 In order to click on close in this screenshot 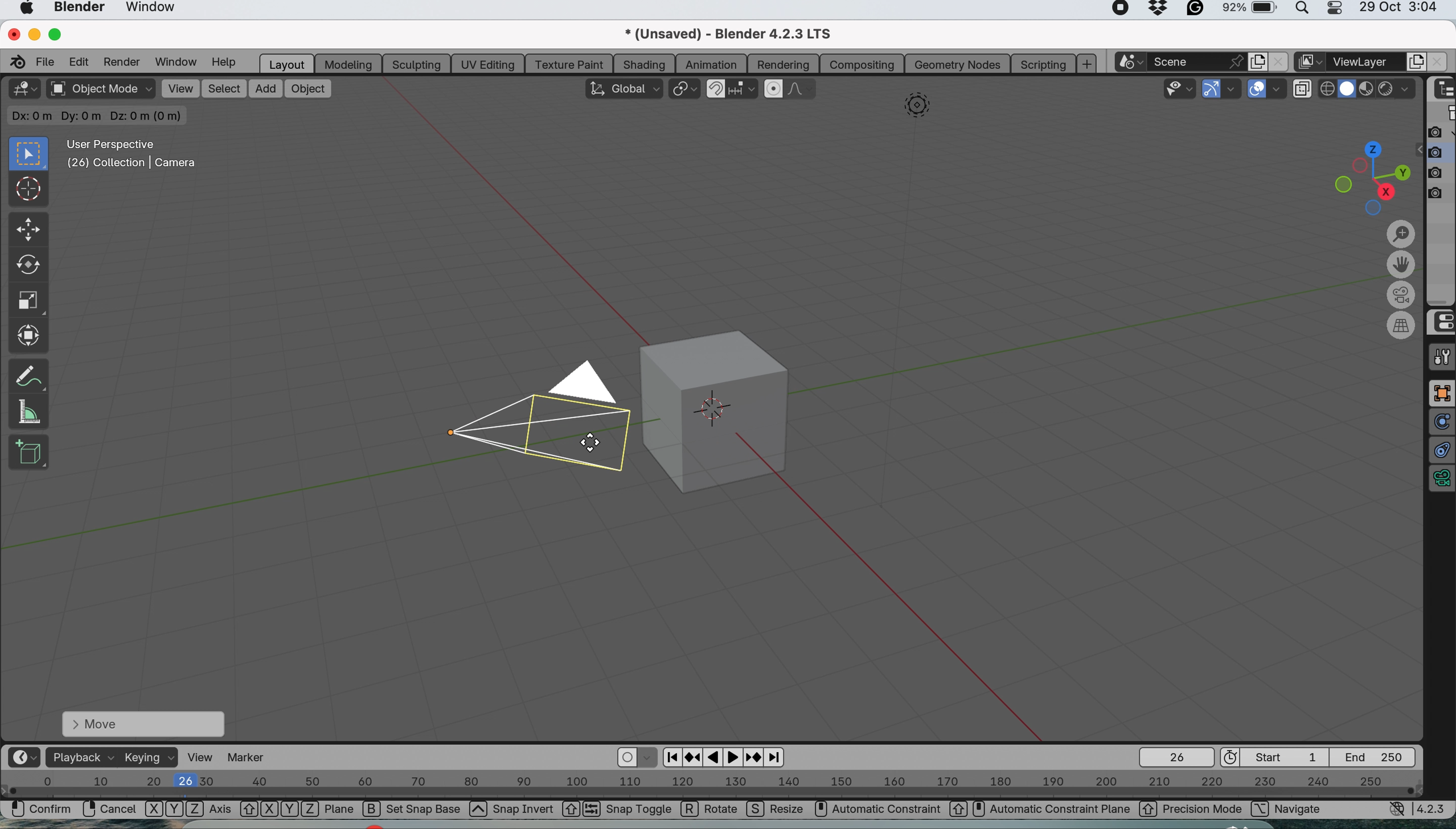, I will do `click(1277, 61)`.